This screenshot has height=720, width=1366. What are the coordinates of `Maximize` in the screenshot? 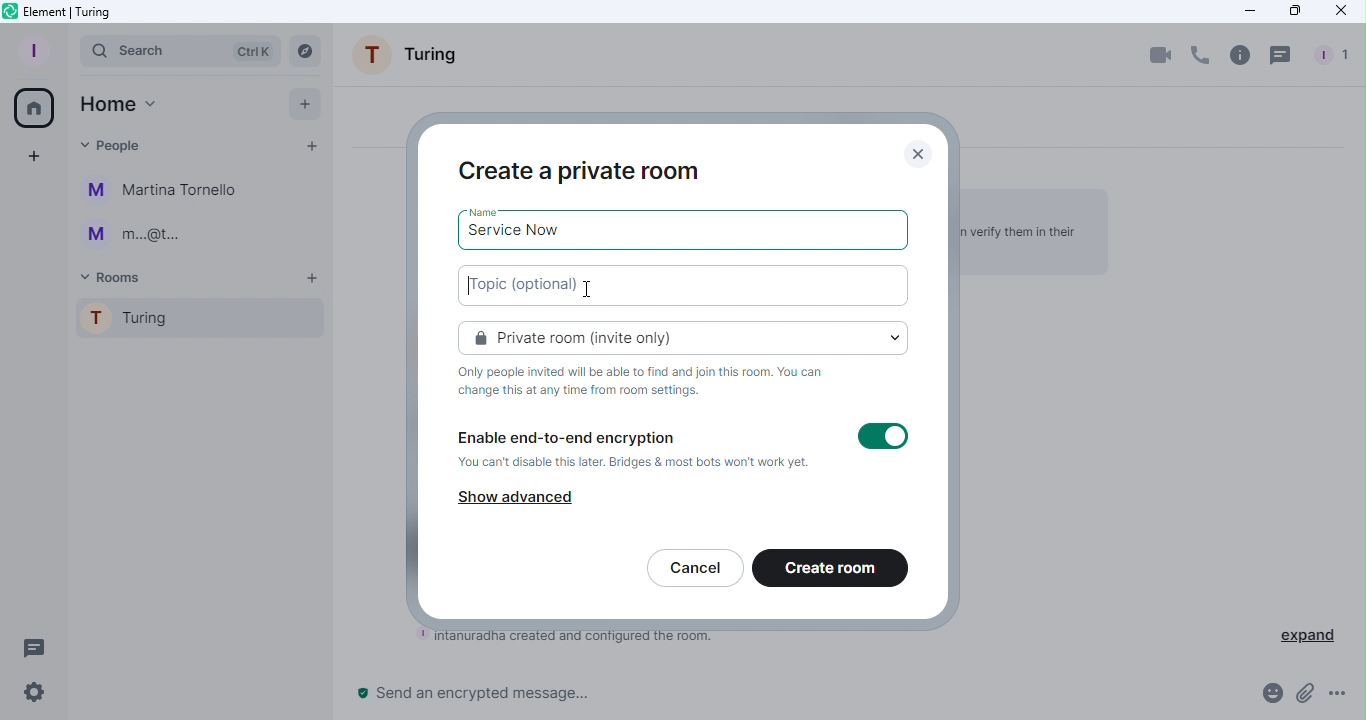 It's located at (1293, 11).